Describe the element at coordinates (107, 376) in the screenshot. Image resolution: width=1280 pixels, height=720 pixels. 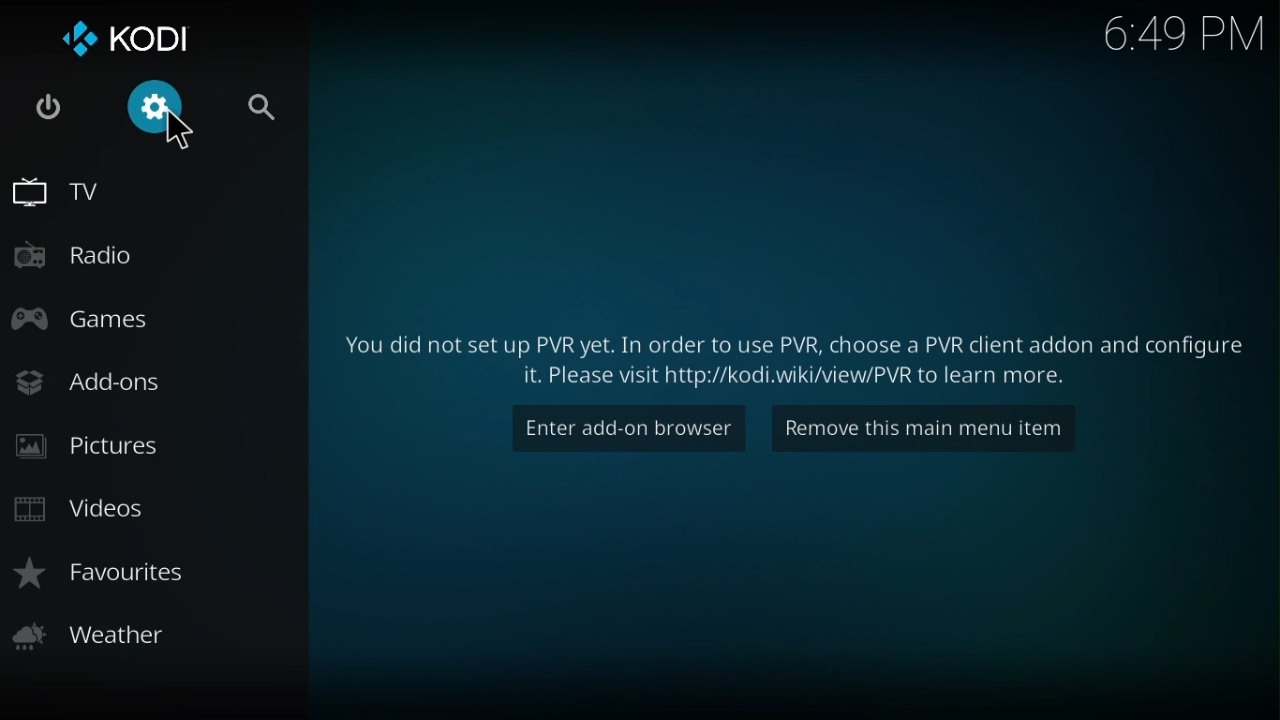
I see `Add-ons` at that location.